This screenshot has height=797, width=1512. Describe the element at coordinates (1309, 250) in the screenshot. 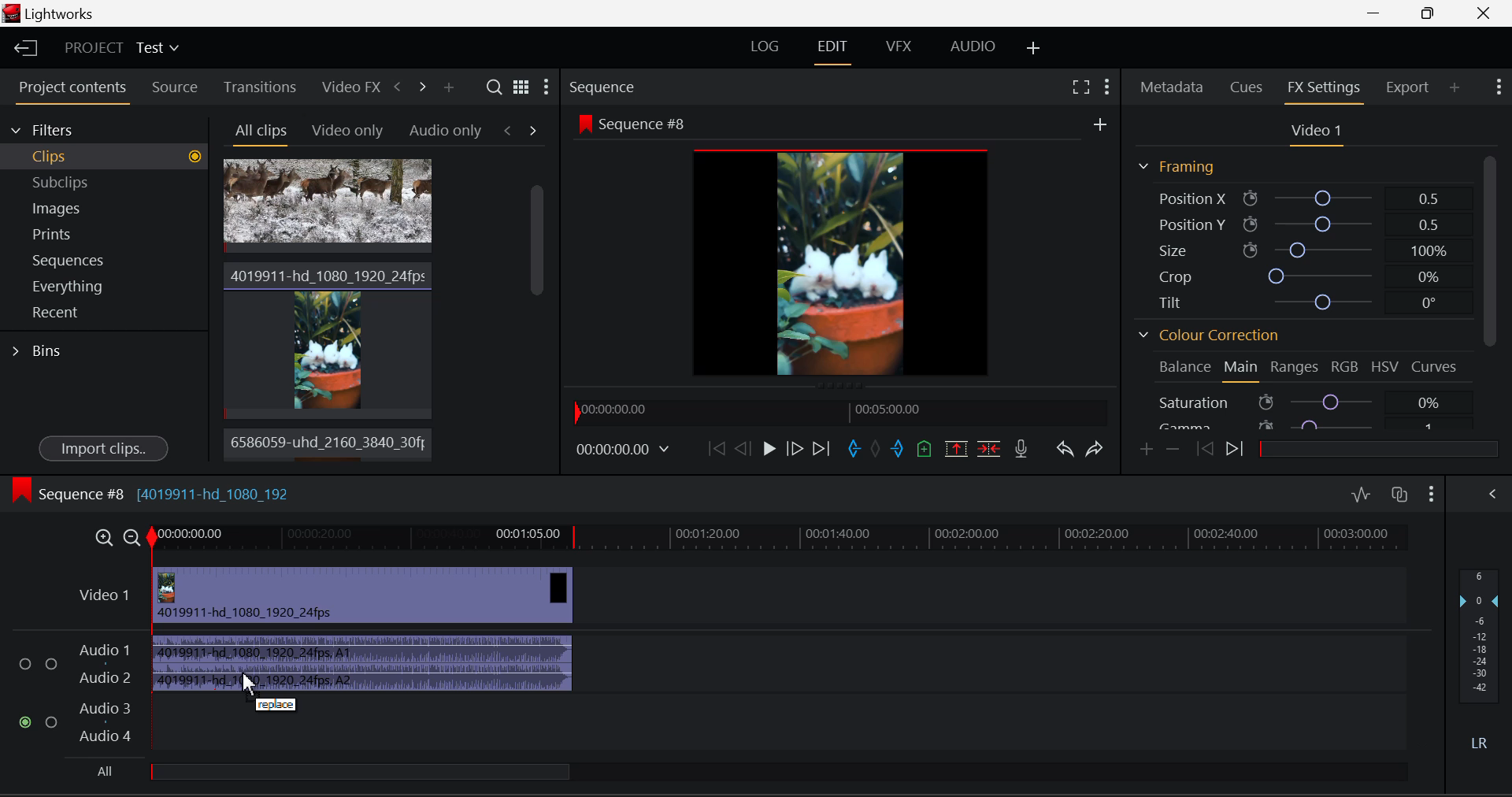

I see `Size` at that location.